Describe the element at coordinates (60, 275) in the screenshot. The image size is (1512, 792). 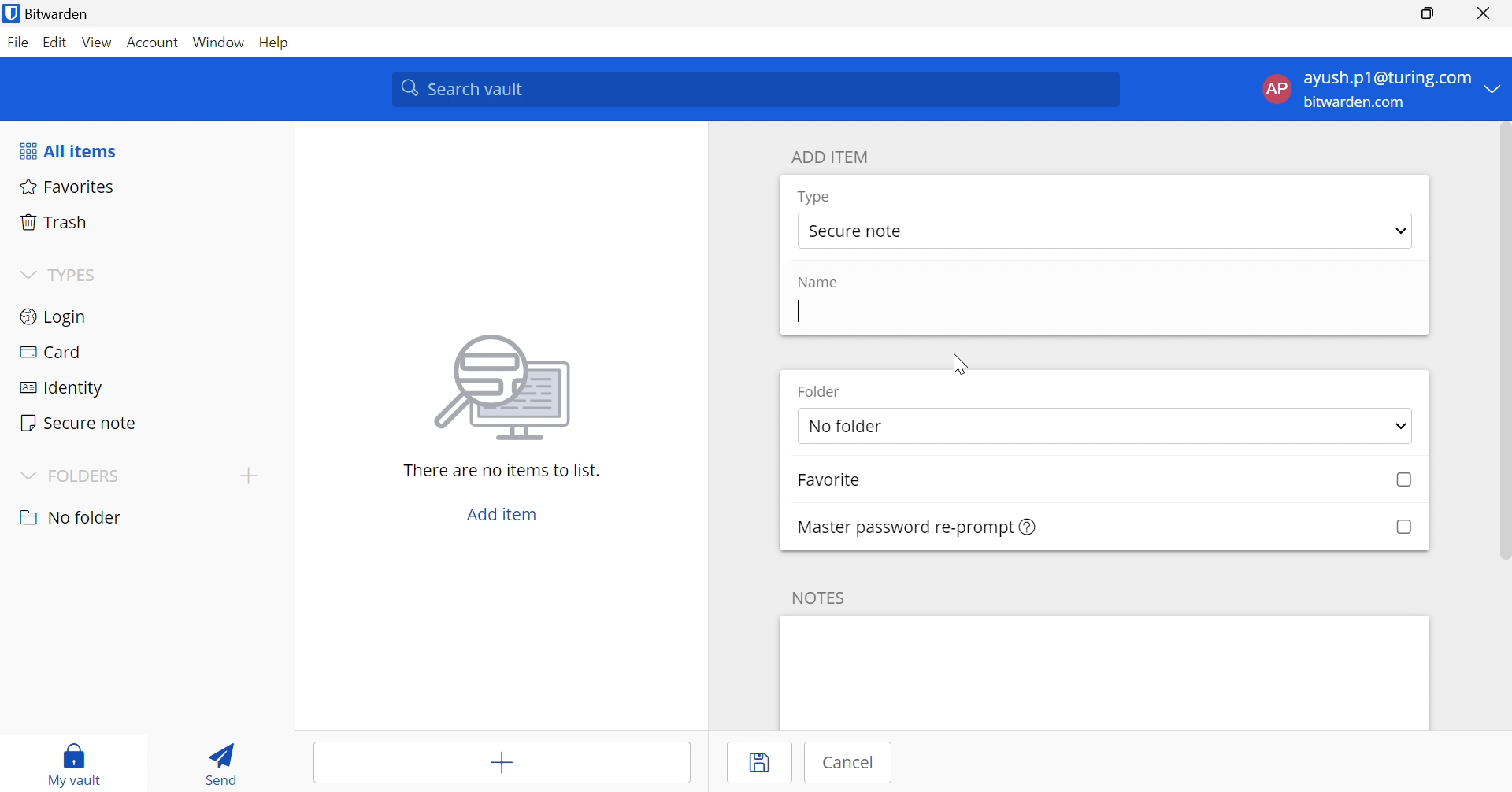
I see `TYPES` at that location.